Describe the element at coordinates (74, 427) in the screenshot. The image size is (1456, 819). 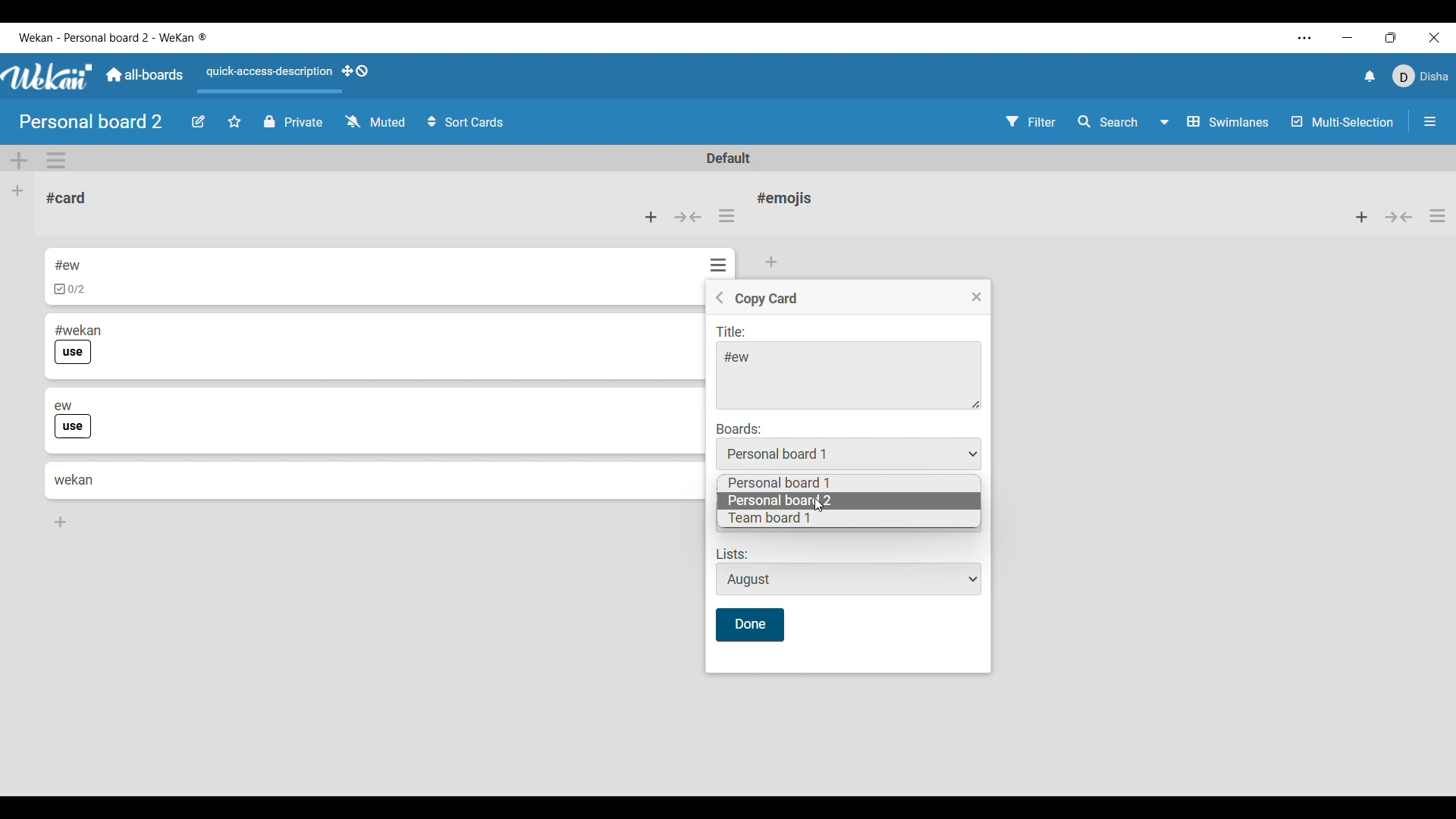
I see `Indicates use of label in card` at that location.